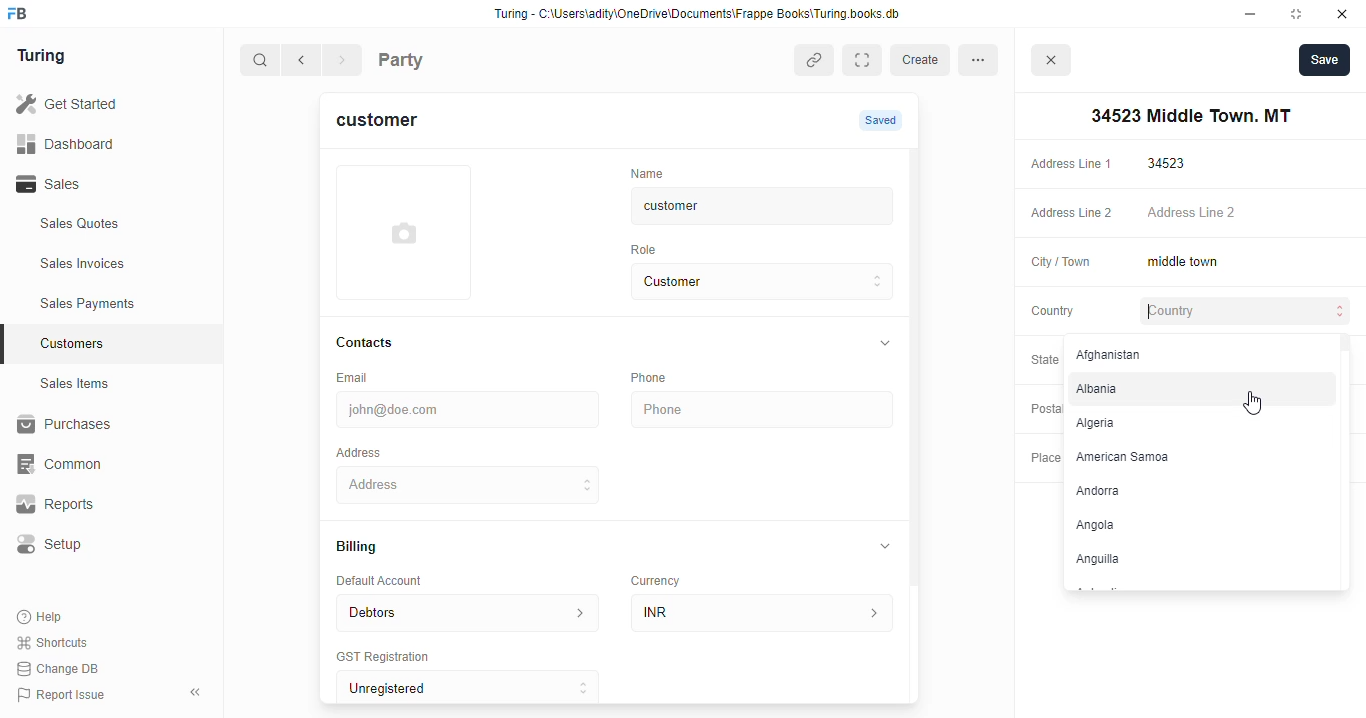  Describe the element at coordinates (816, 62) in the screenshot. I see `copy link` at that location.